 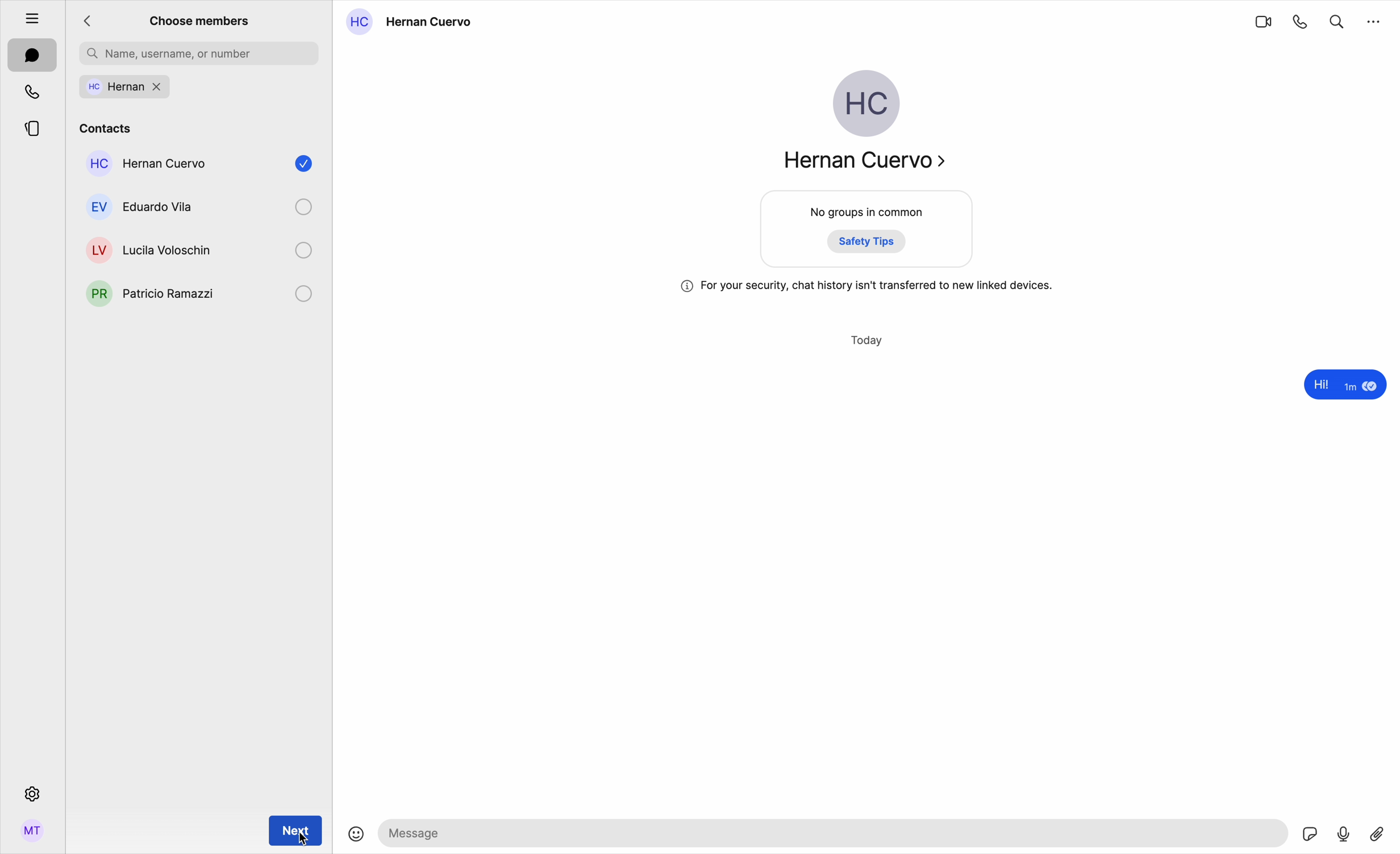 I want to click on hide tabs, so click(x=26, y=15).